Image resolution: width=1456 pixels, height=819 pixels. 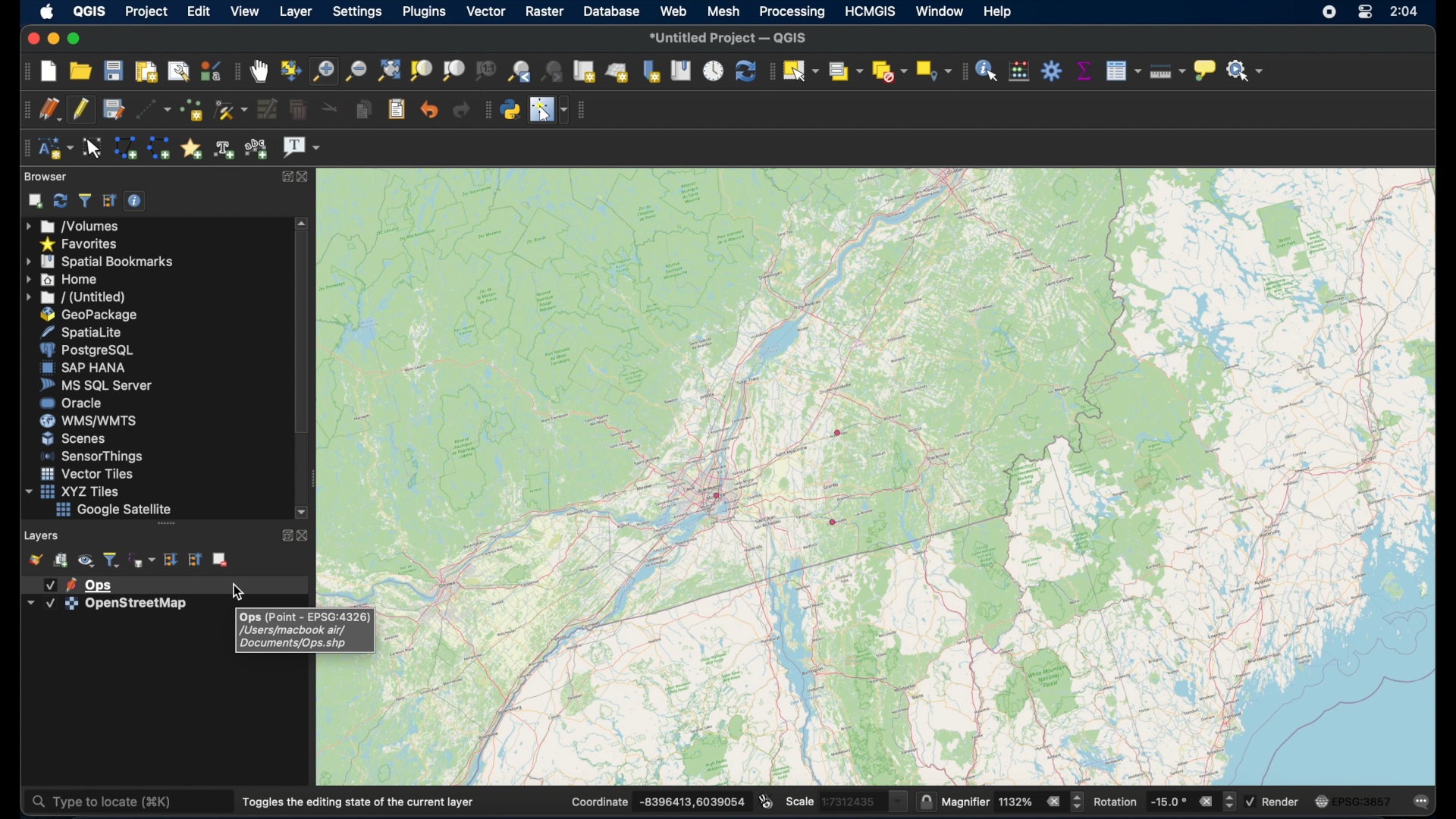 I want to click on project toolbar, so click(x=24, y=73).